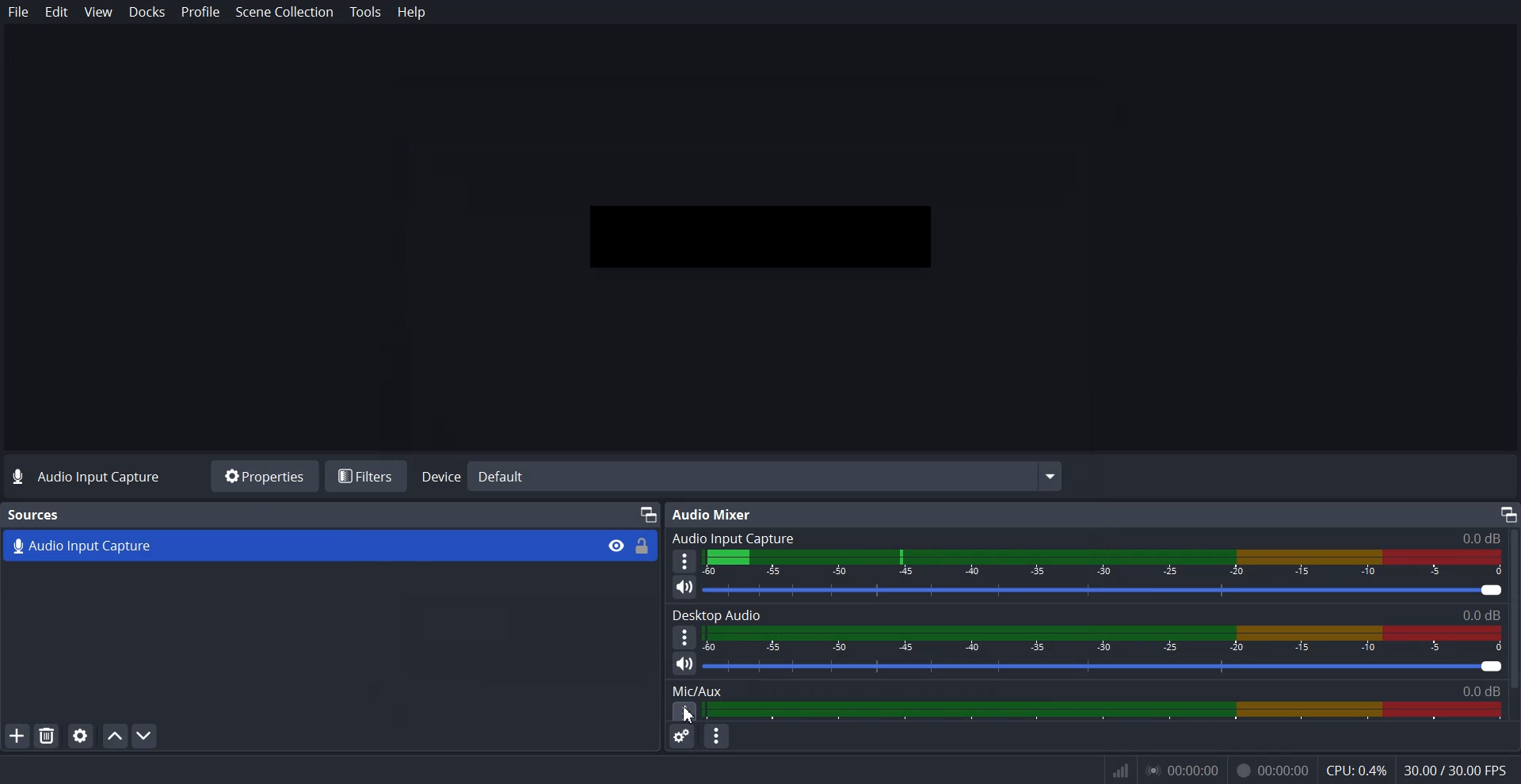  Describe the element at coordinates (1180, 771) in the screenshot. I see `0.00` at that location.